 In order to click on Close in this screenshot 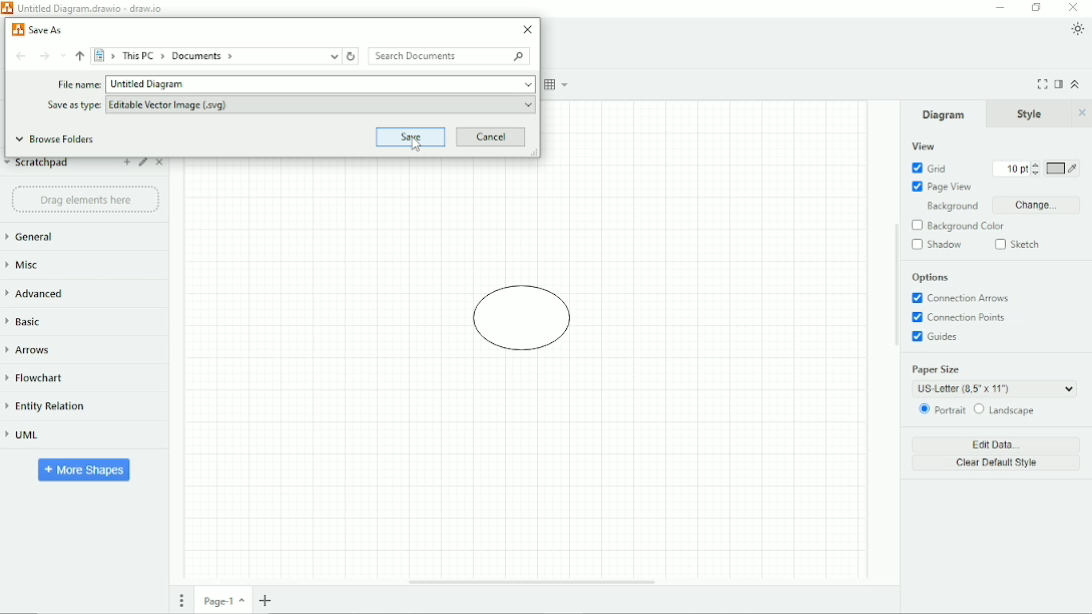, I will do `click(1074, 7)`.